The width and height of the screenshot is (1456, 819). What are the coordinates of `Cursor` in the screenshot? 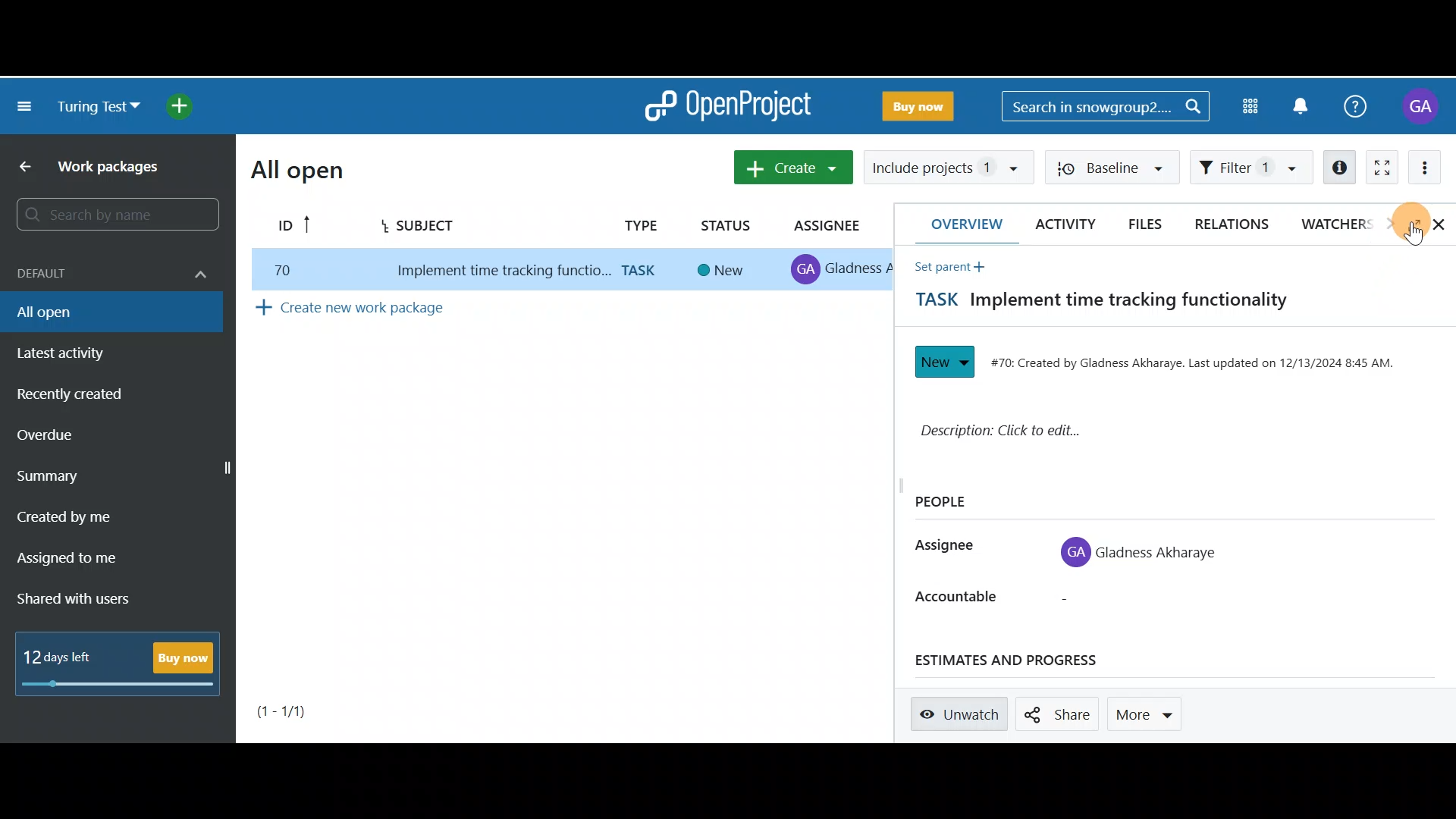 It's located at (1412, 231).